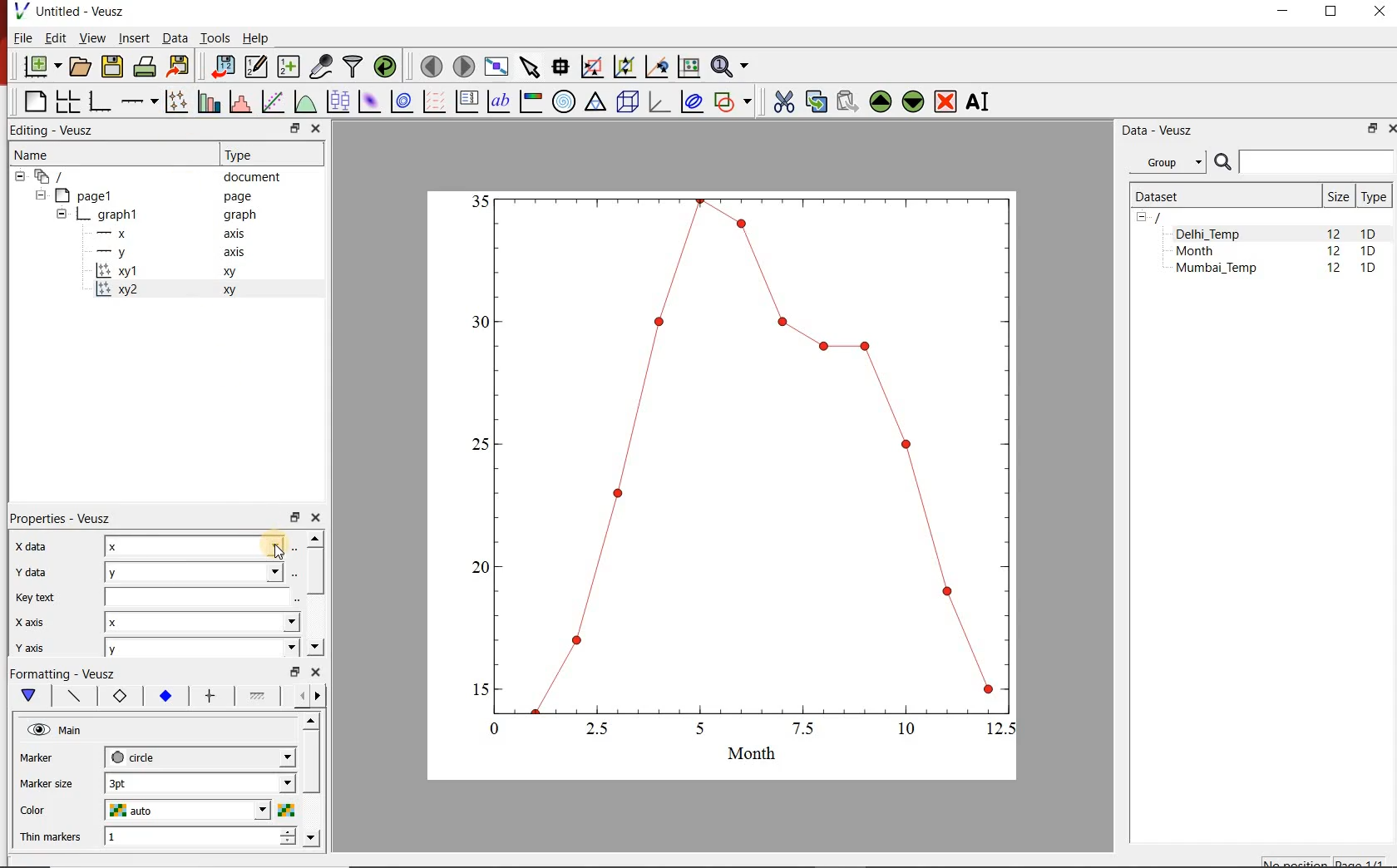 The height and width of the screenshot is (868, 1397). Describe the element at coordinates (98, 102) in the screenshot. I see `base graph` at that location.